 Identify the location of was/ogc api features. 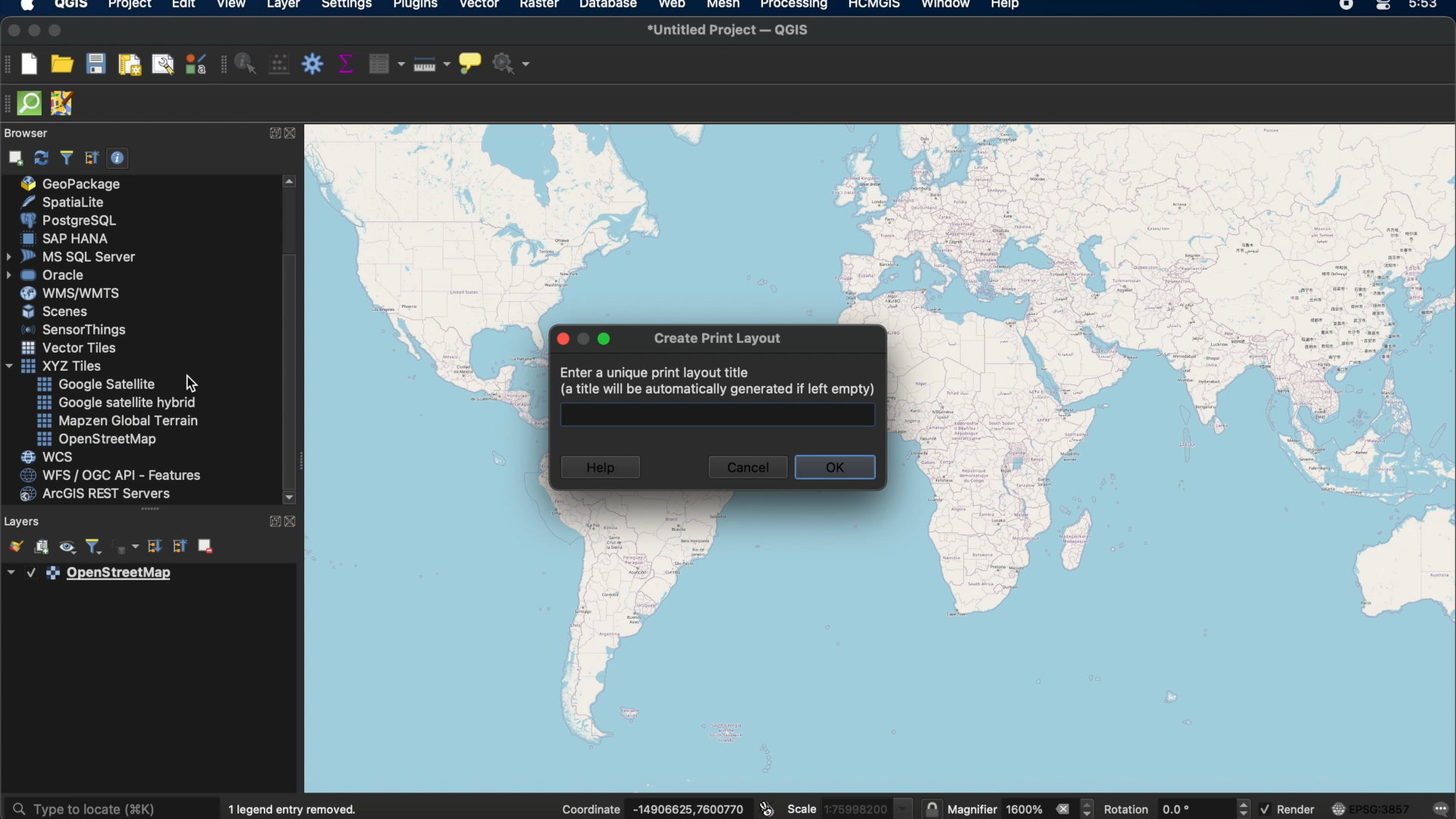
(113, 475).